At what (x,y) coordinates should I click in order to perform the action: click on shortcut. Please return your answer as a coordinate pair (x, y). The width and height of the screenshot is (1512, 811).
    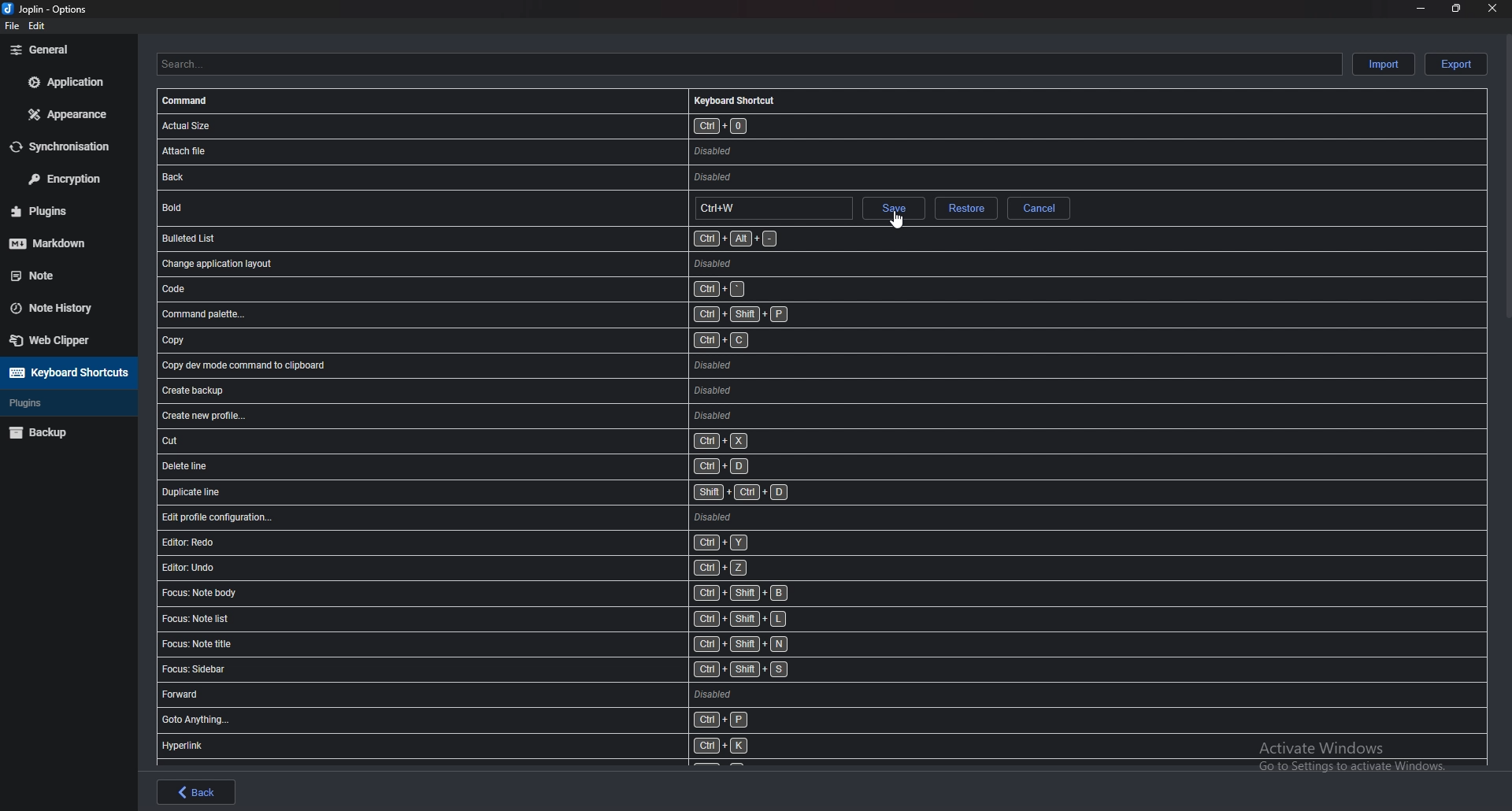
    Looking at the image, I should click on (525, 720).